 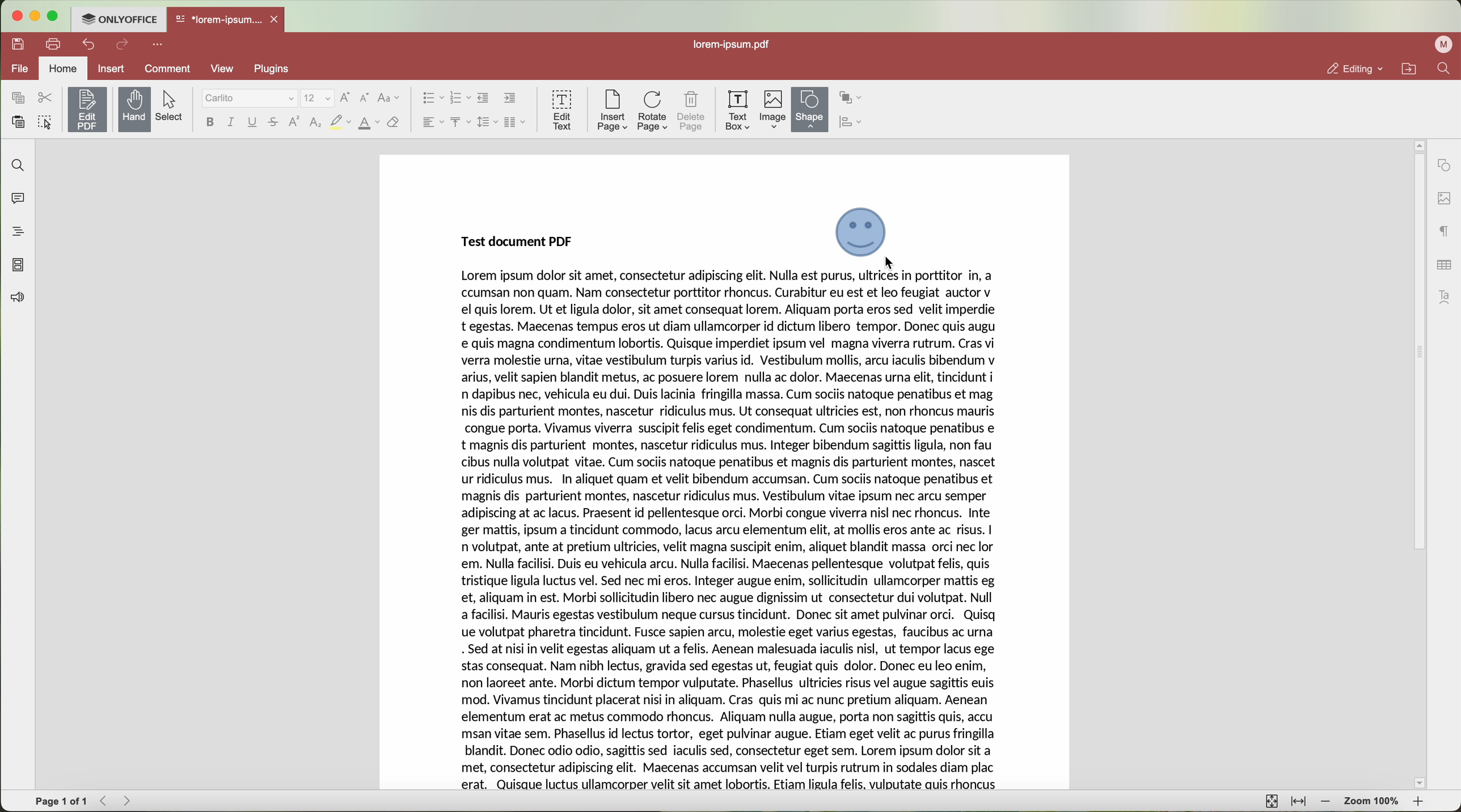 I want to click on edit PDF, so click(x=90, y=107).